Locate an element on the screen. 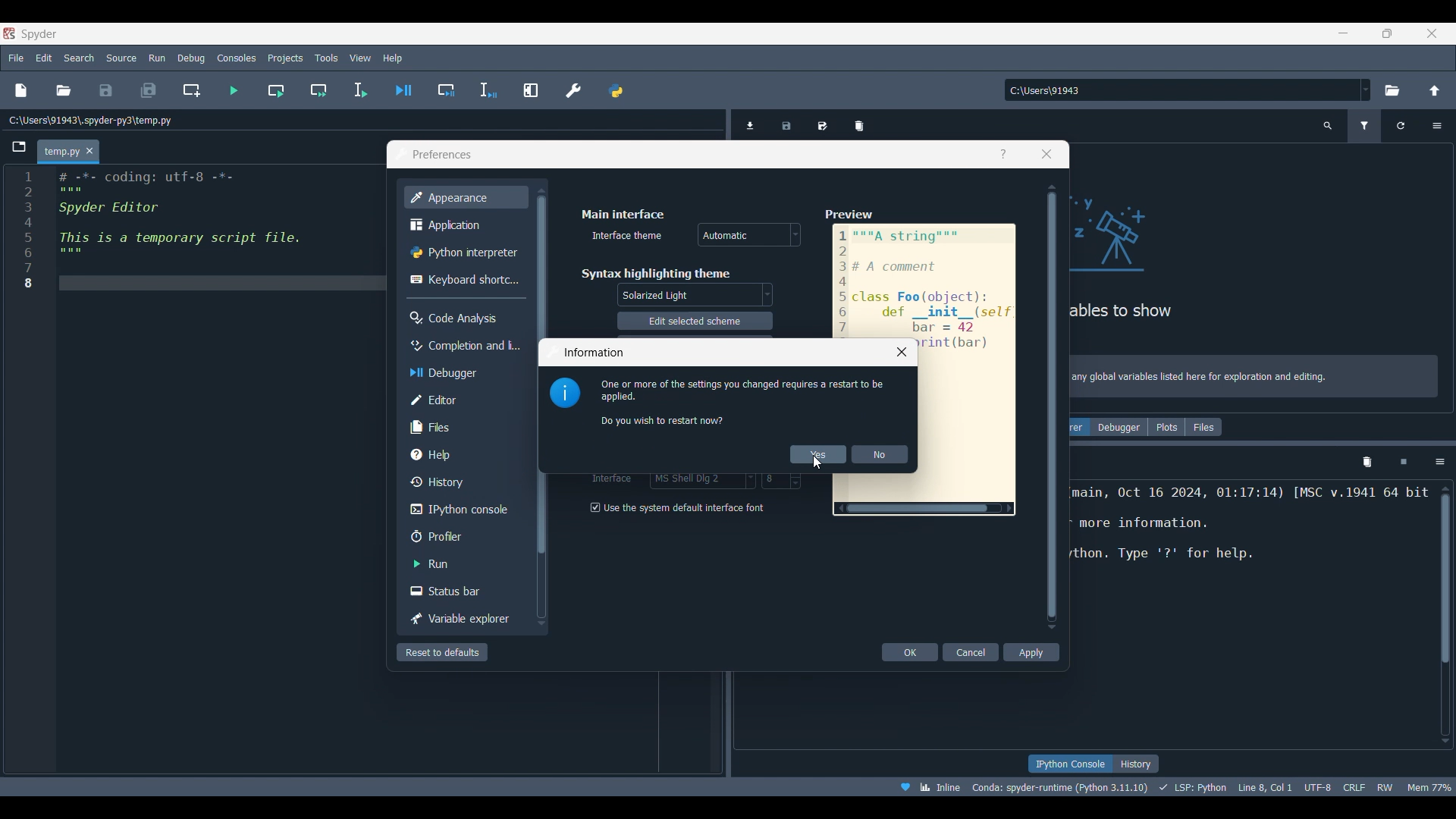  memory usage is located at coordinates (1432, 786).